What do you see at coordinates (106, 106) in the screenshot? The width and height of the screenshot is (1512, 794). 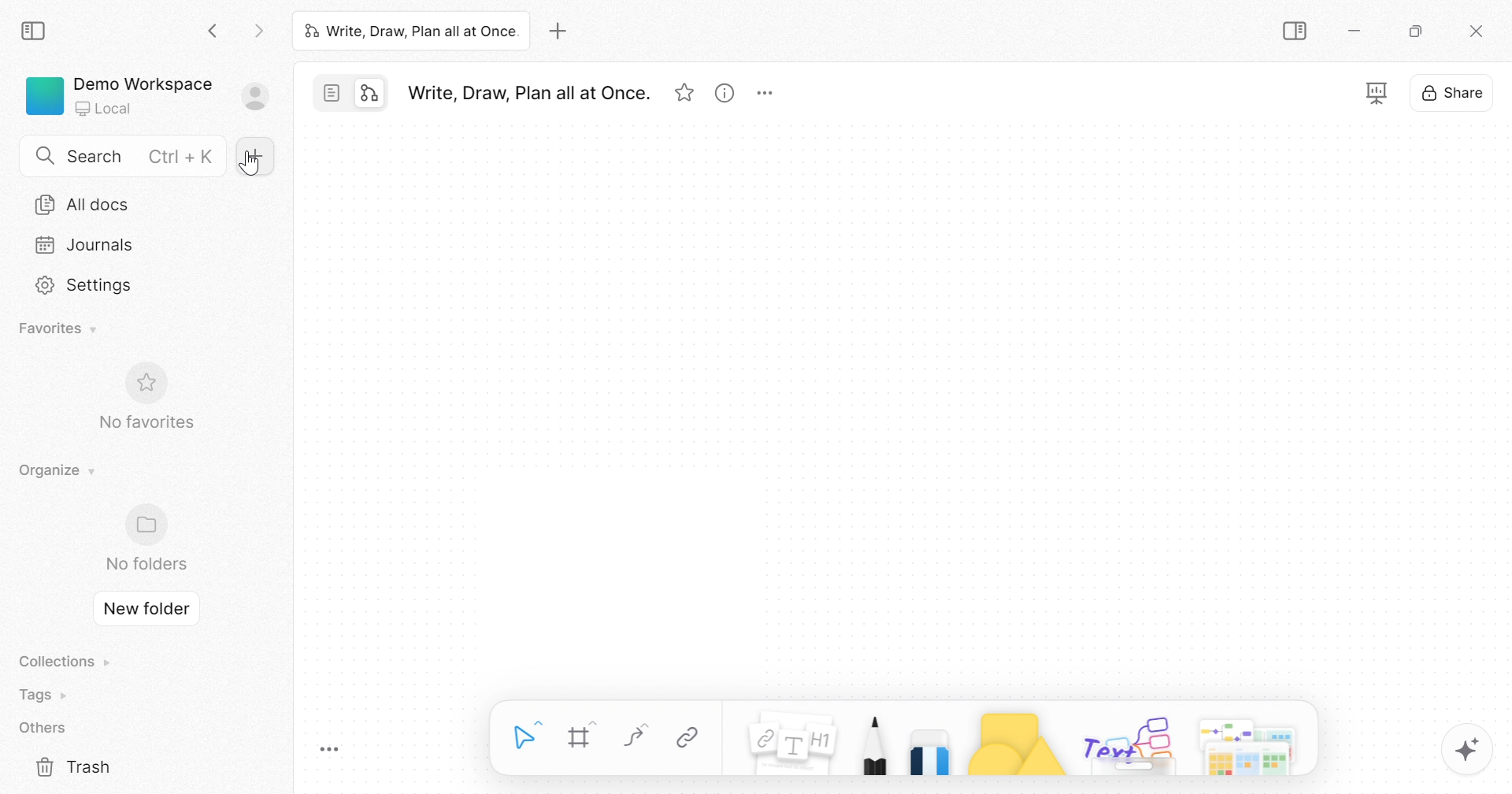 I see `Local` at bounding box center [106, 106].